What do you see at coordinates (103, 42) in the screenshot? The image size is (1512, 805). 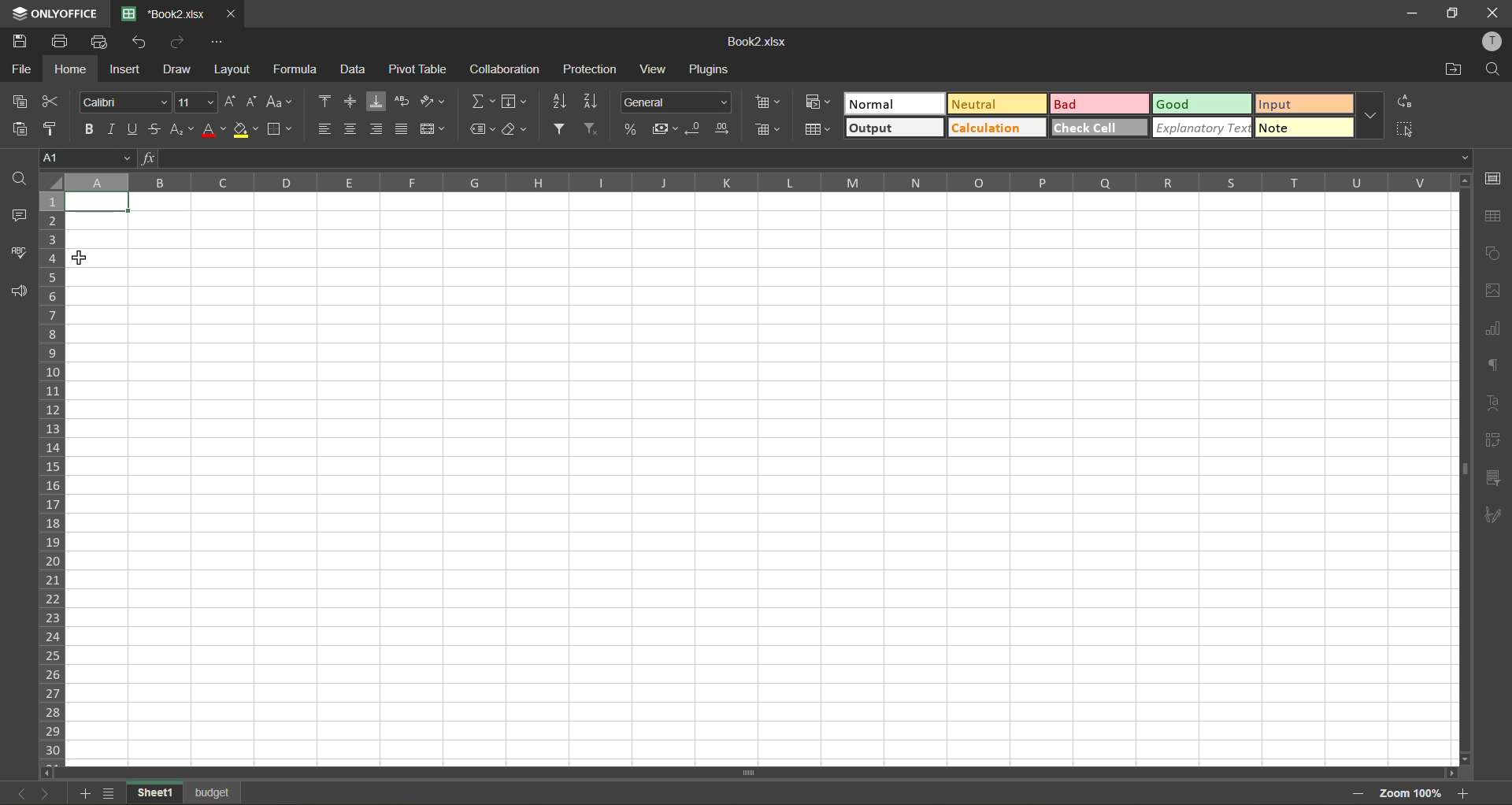 I see `quick print` at bounding box center [103, 42].